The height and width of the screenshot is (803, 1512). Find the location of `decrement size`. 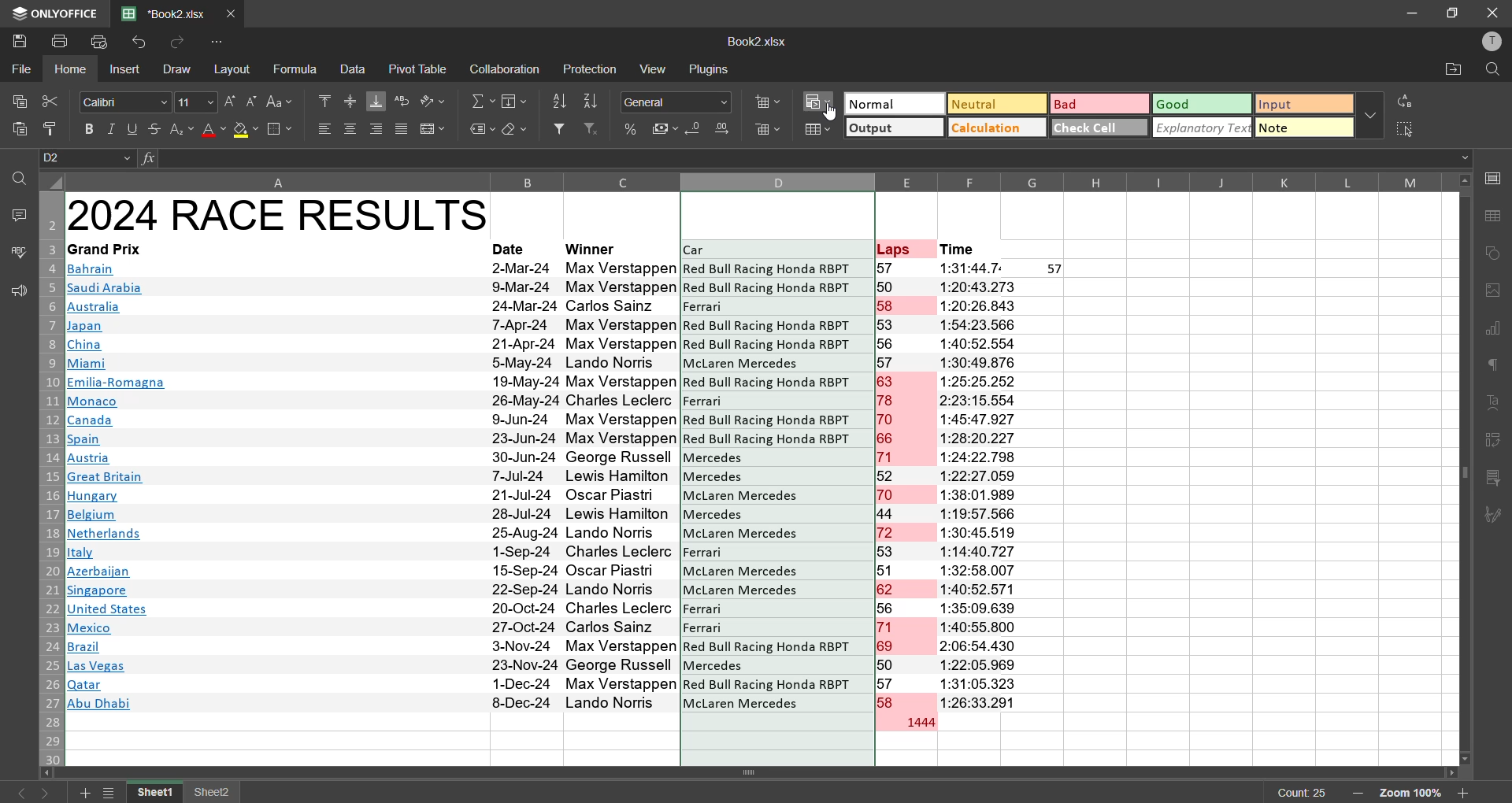

decrement size is located at coordinates (250, 101).